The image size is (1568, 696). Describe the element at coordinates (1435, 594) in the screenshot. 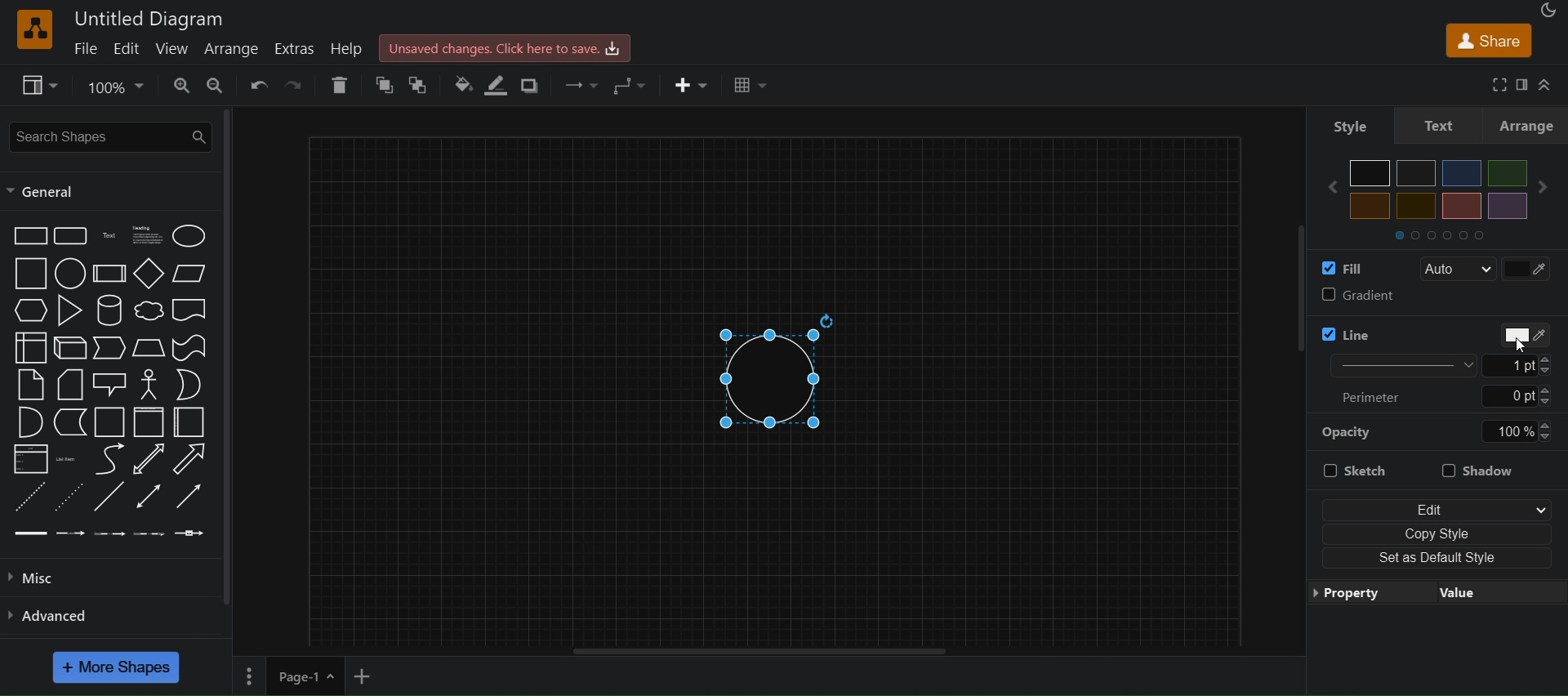

I see `property` at that location.